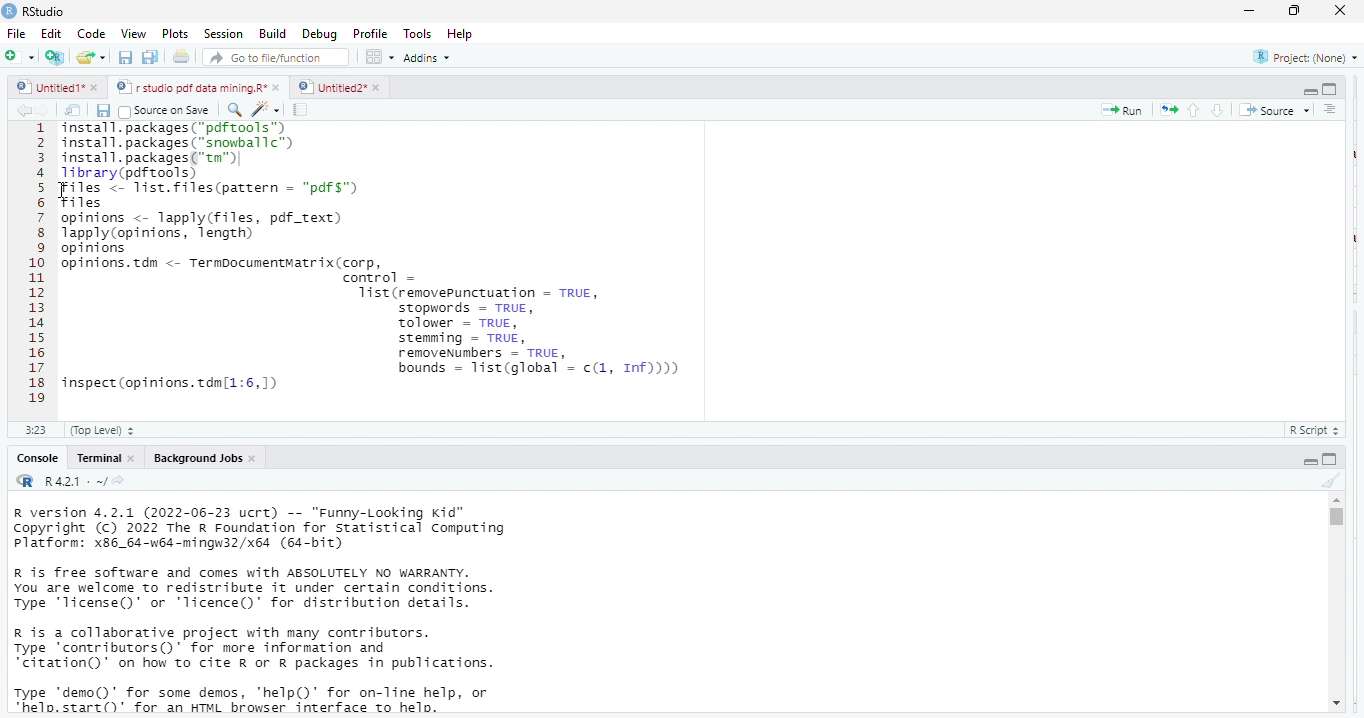 The height and width of the screenshot is (718, 1364). What do you see at coordinates (1311, 460) in the screenshot?
I see `hide r script` at bounding box center [1311, 460].